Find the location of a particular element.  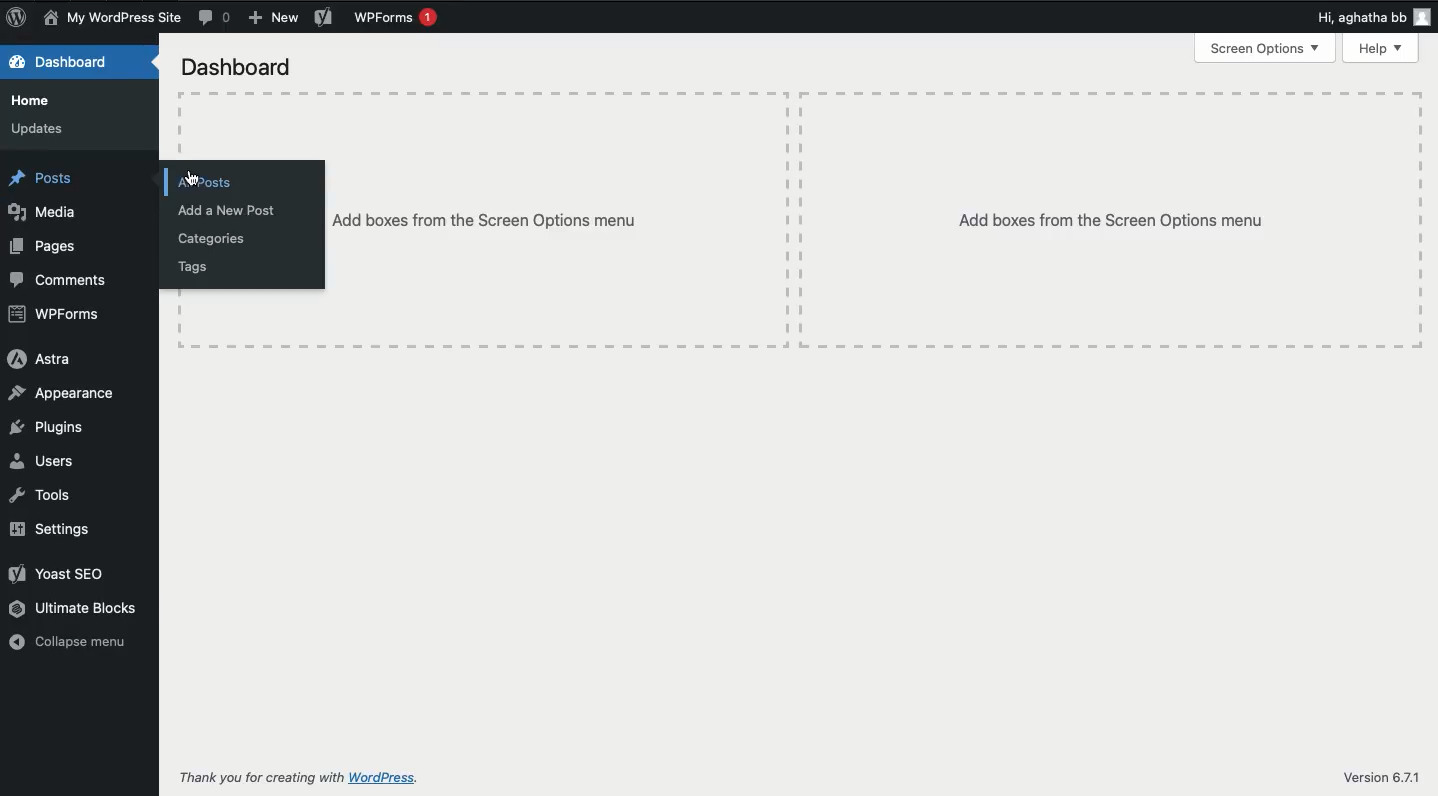

Comments is located at coordinates (60, 280).